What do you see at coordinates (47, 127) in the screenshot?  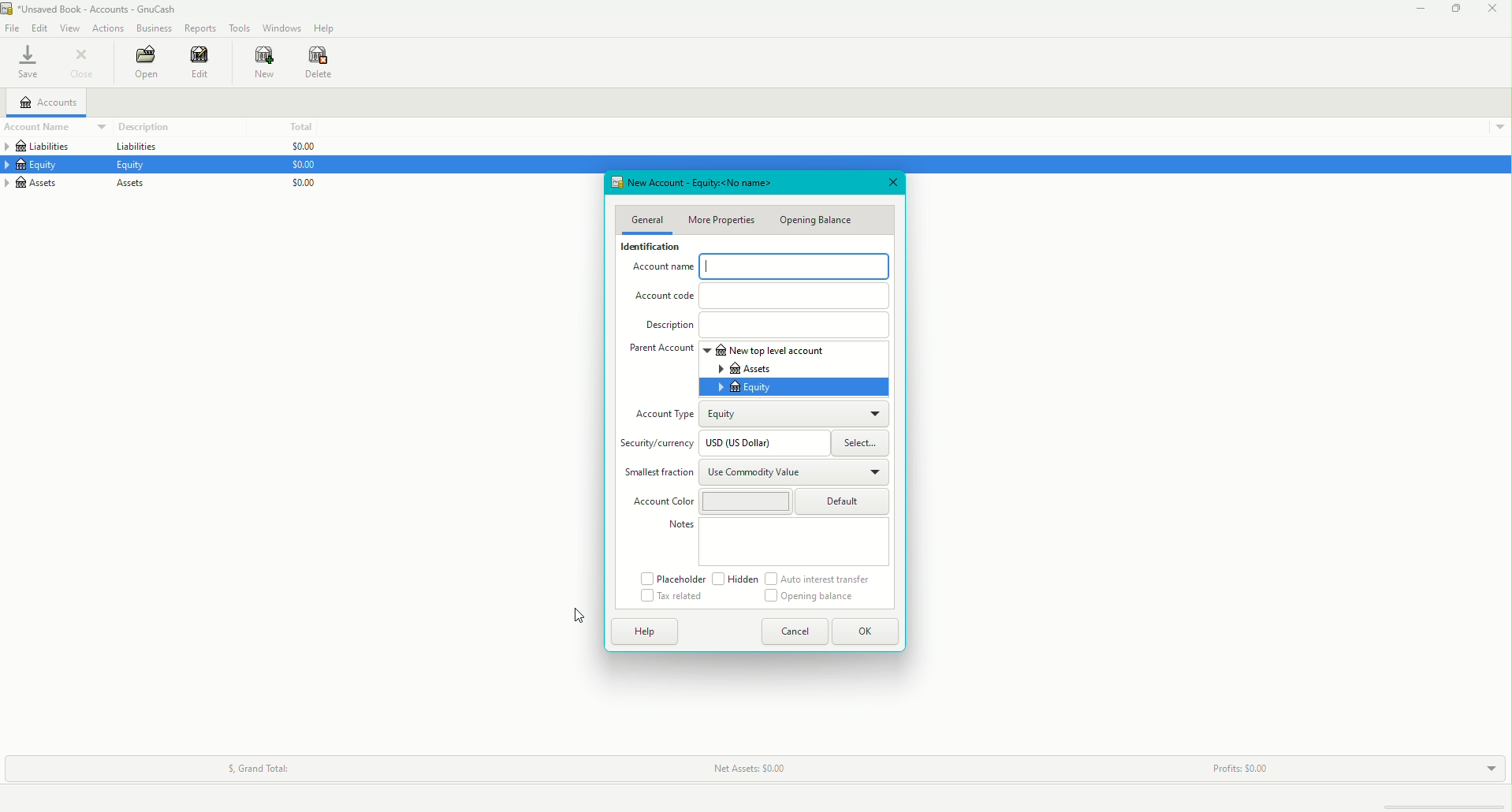 I see `Account Name` at bounding box center [47, 127].